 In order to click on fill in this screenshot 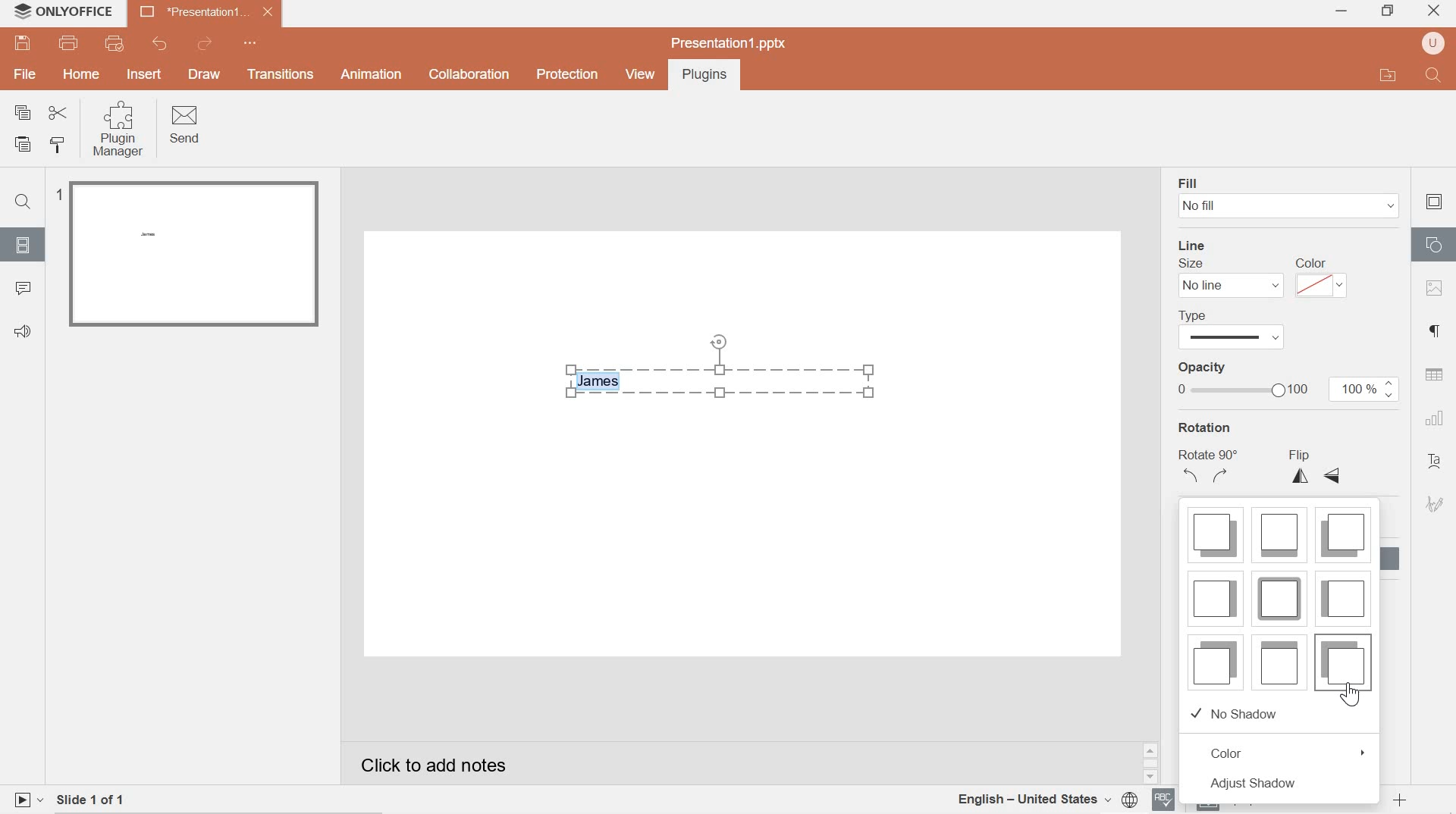, I will do `click(1186, 182)`.